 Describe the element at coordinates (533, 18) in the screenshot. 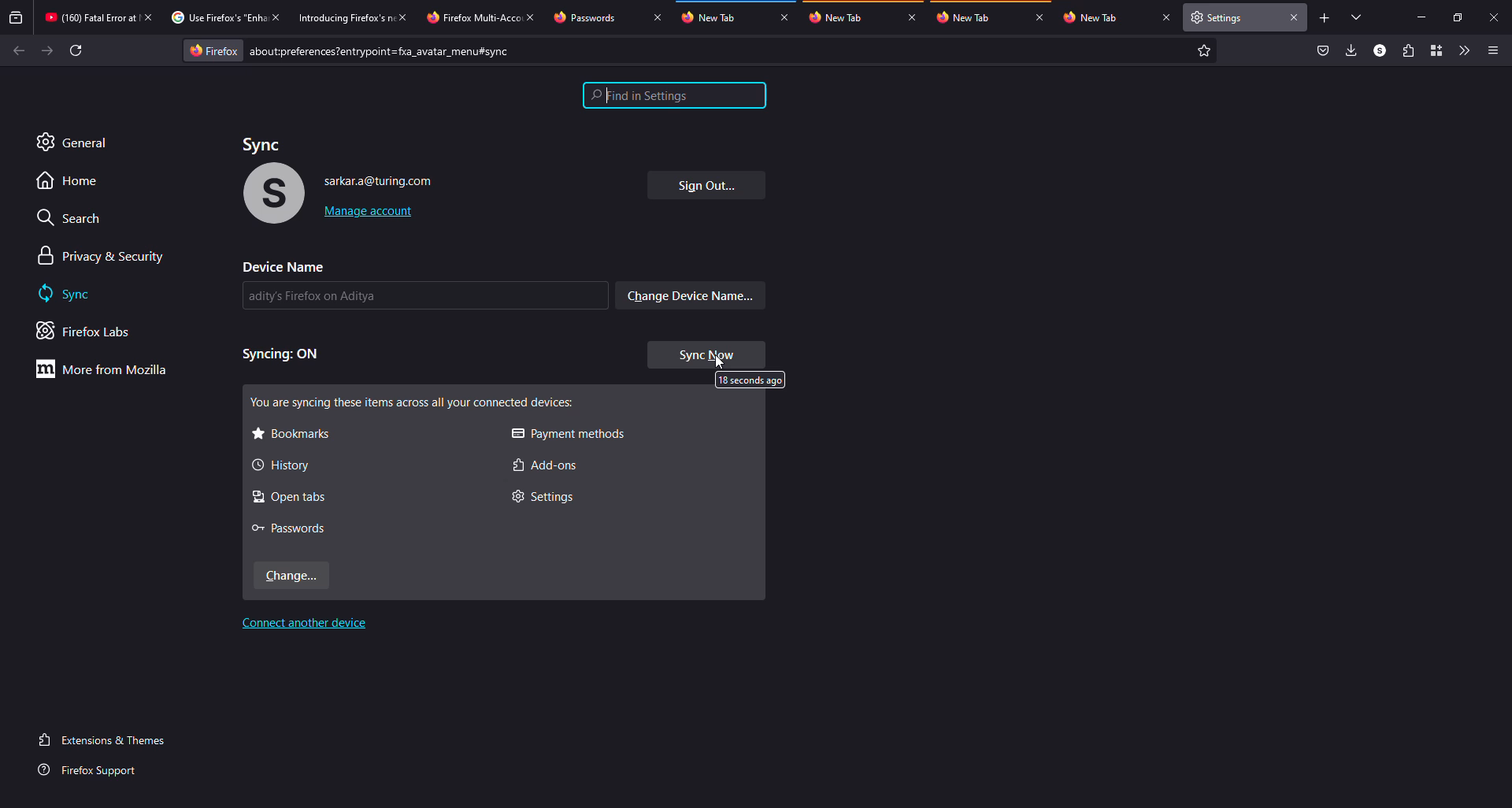

I see `close` at that location.